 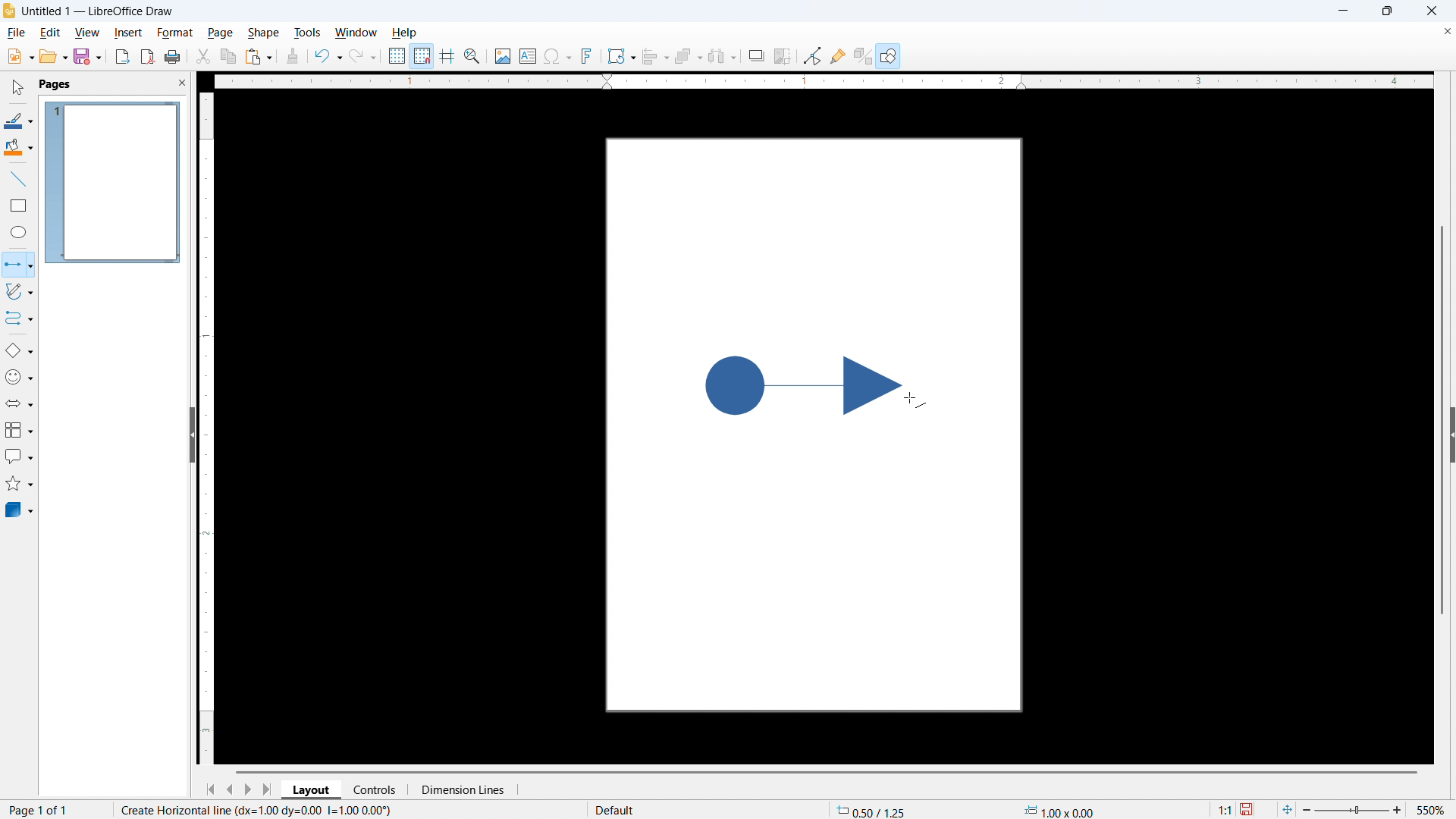 I want to click on minimise , so click(x=1342, y=11).